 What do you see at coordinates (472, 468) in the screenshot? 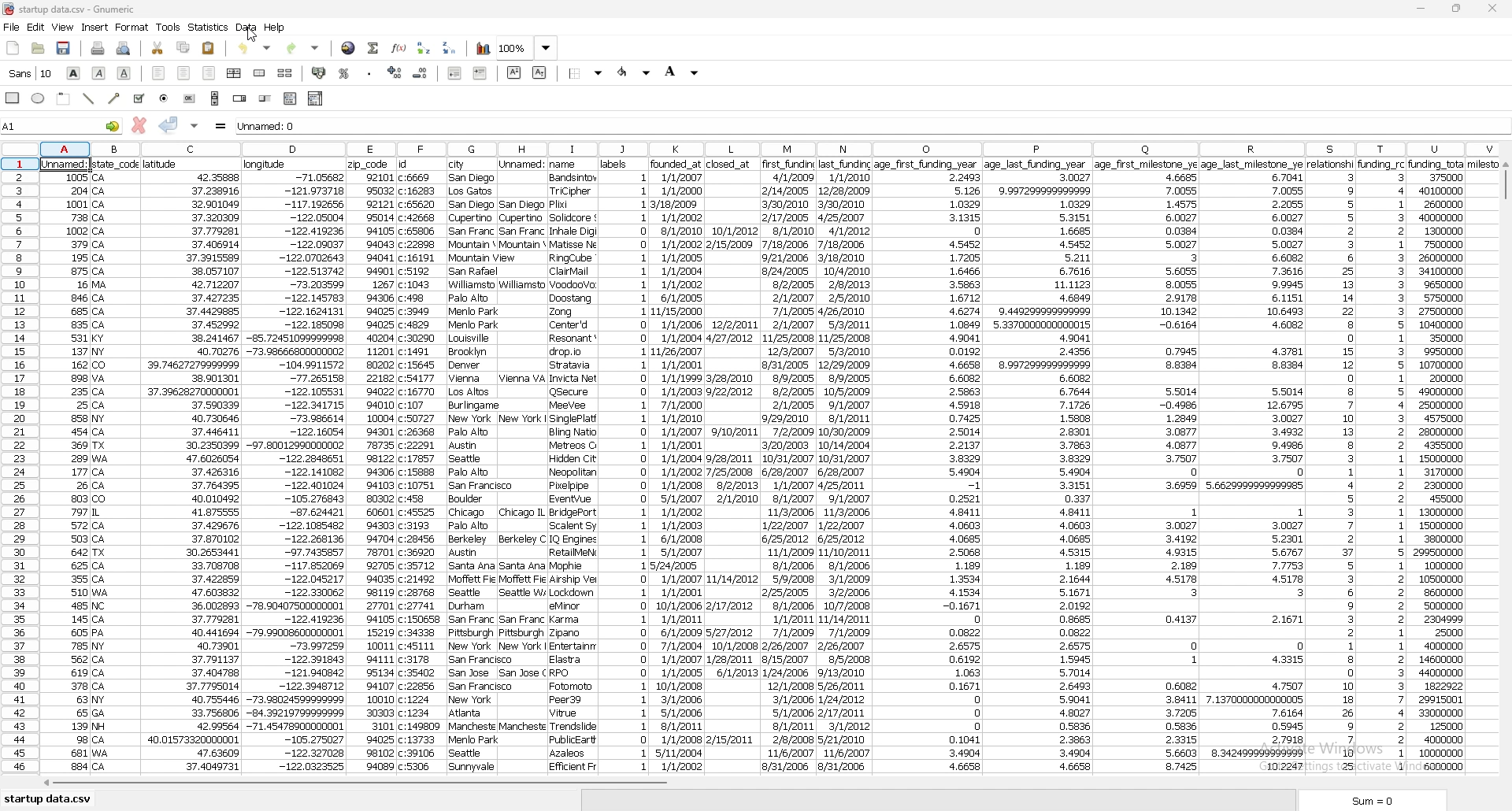
I see `data` at bounding box center [472, 468].